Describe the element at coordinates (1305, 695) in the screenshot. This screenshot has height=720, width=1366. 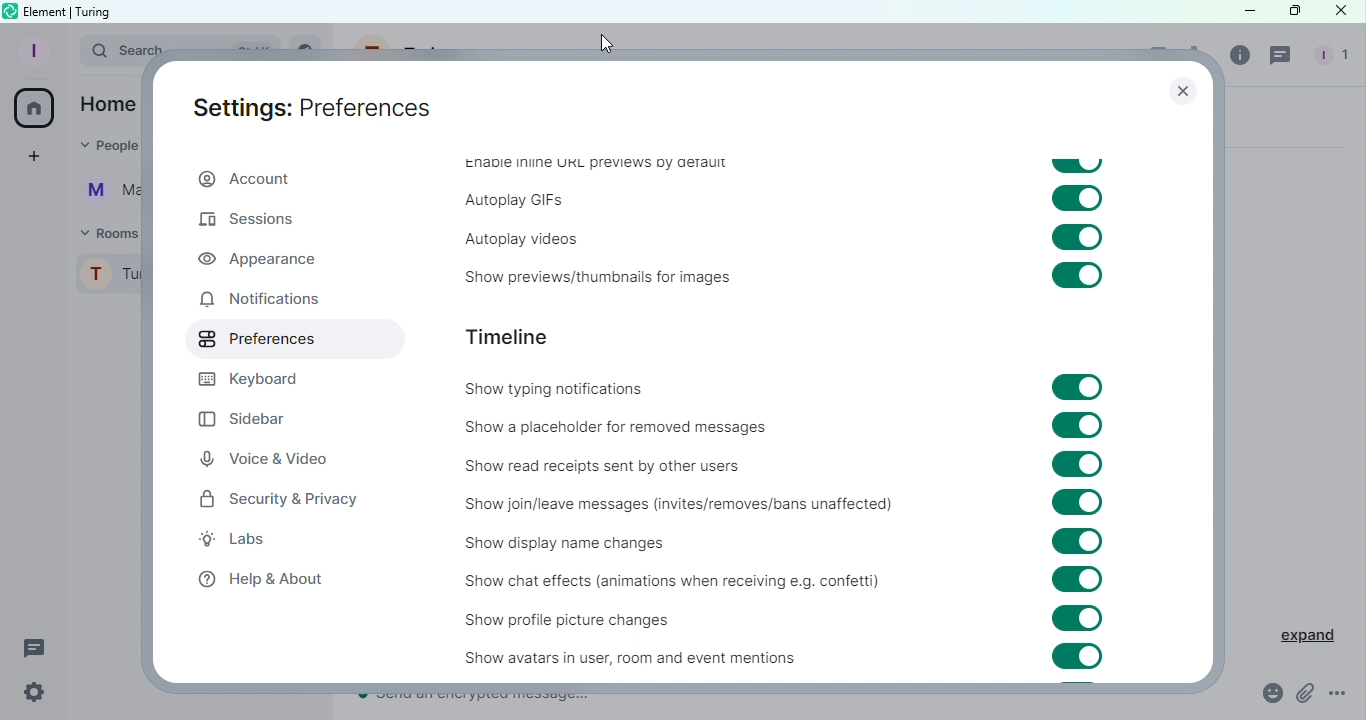
I see `Attachment` at that location.